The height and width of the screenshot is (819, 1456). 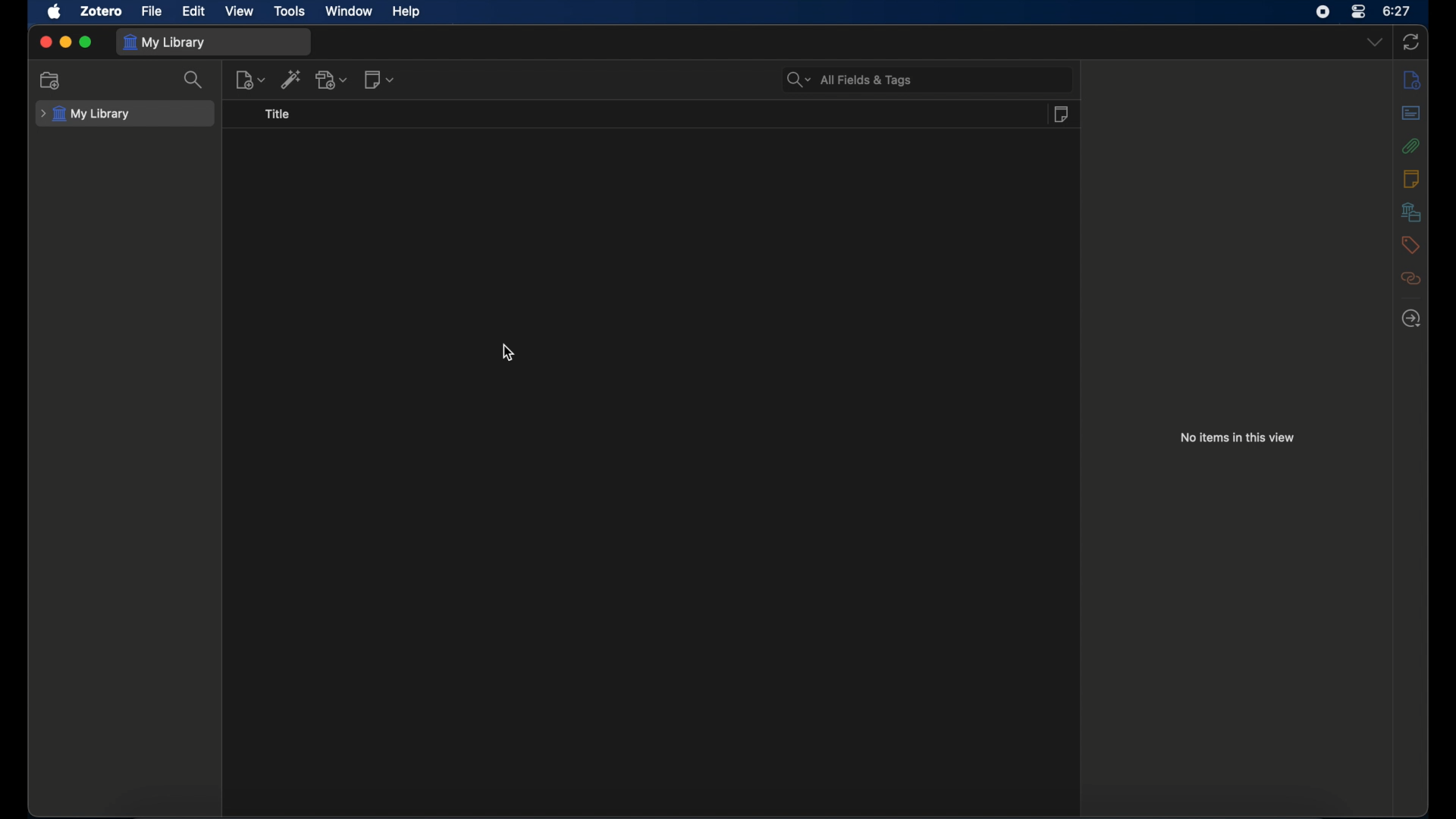 I want to click on title, so click(x=278, y=115).